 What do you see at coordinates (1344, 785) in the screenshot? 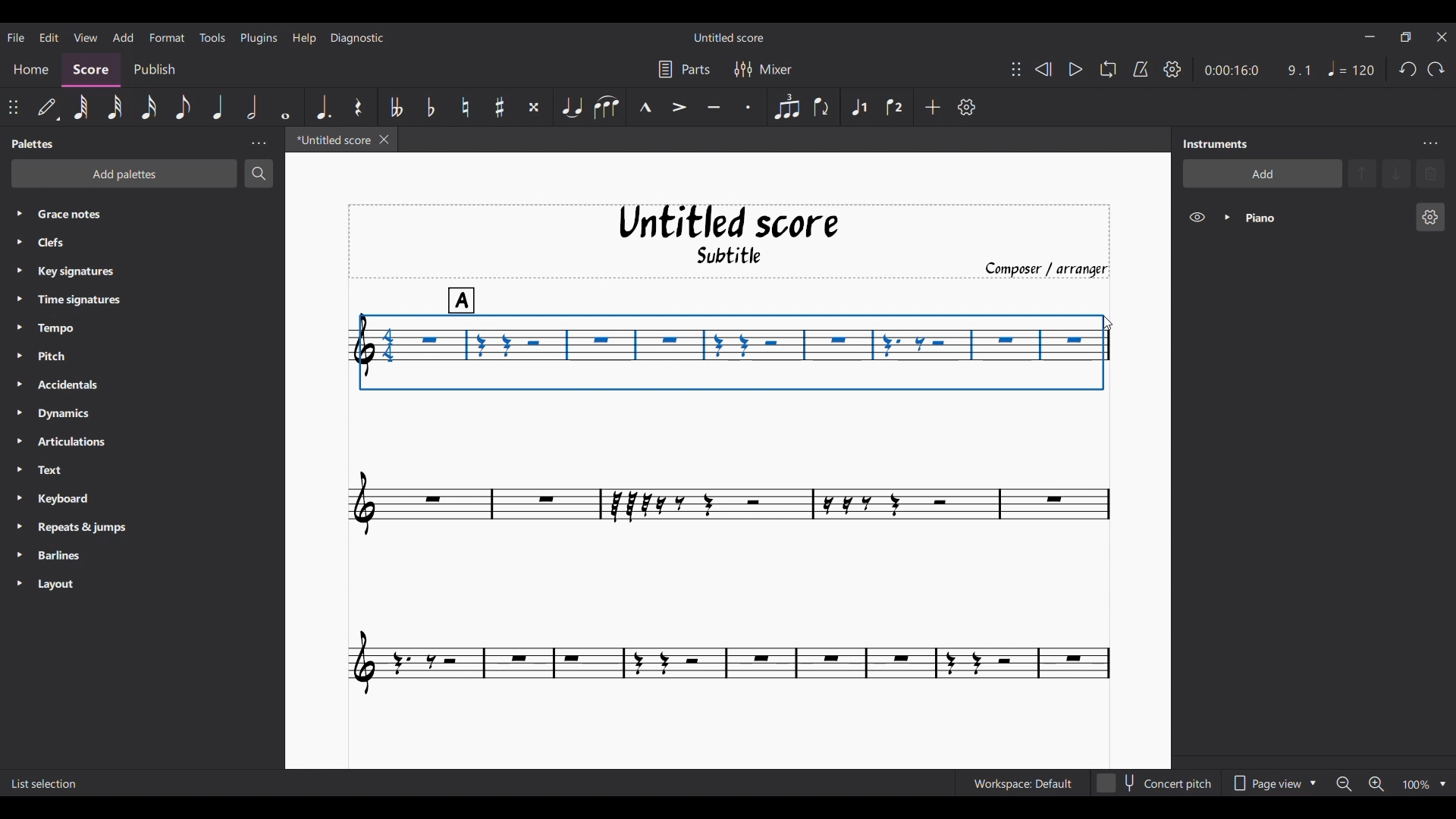
I see `Zoom out` at bounding box center [1344, 785].